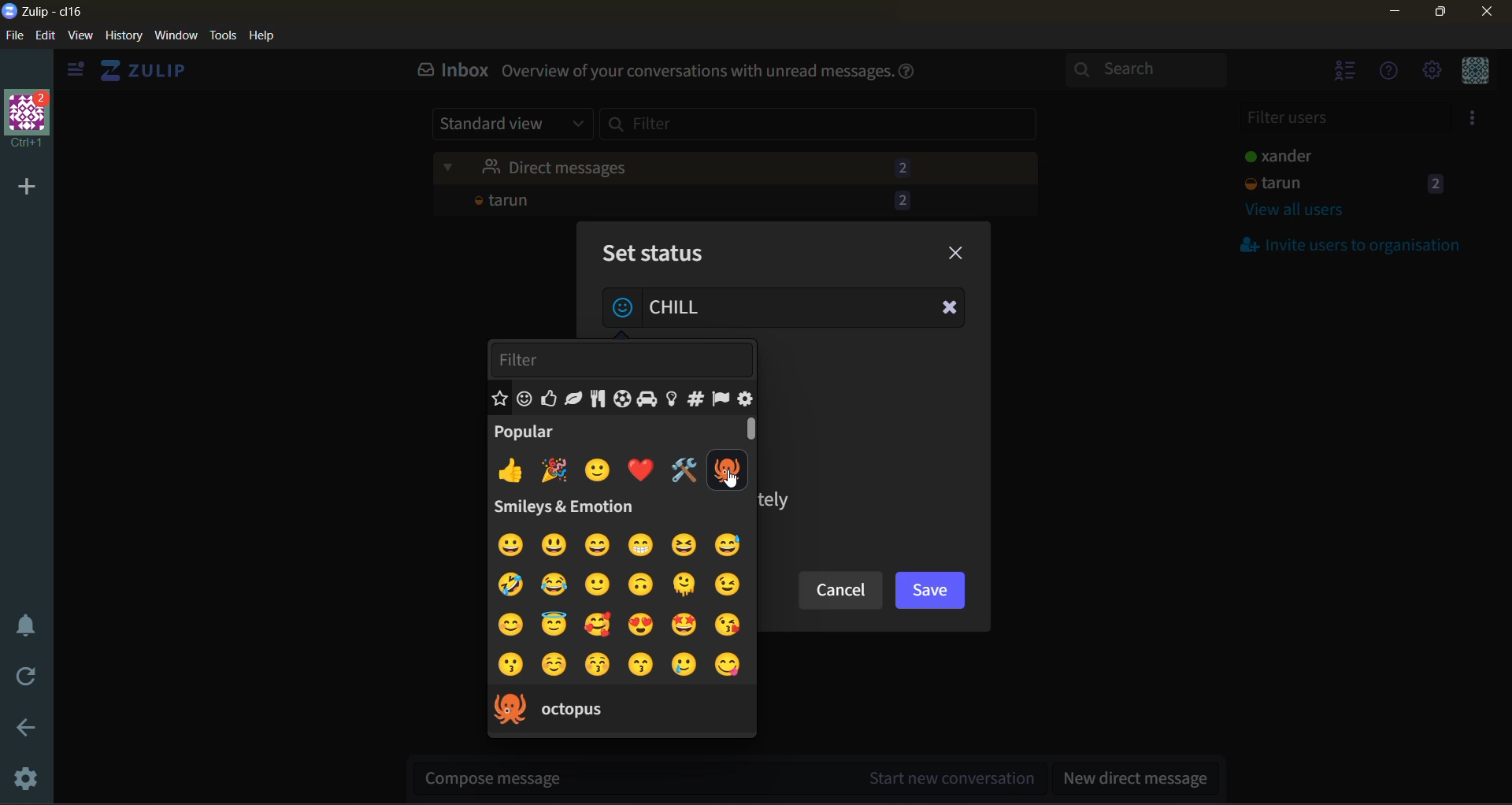 The height and width of the screenshot is (805, 1512). Describe the element at coordinates (673, 399) in the screenshot. I see `emoji` at that location.